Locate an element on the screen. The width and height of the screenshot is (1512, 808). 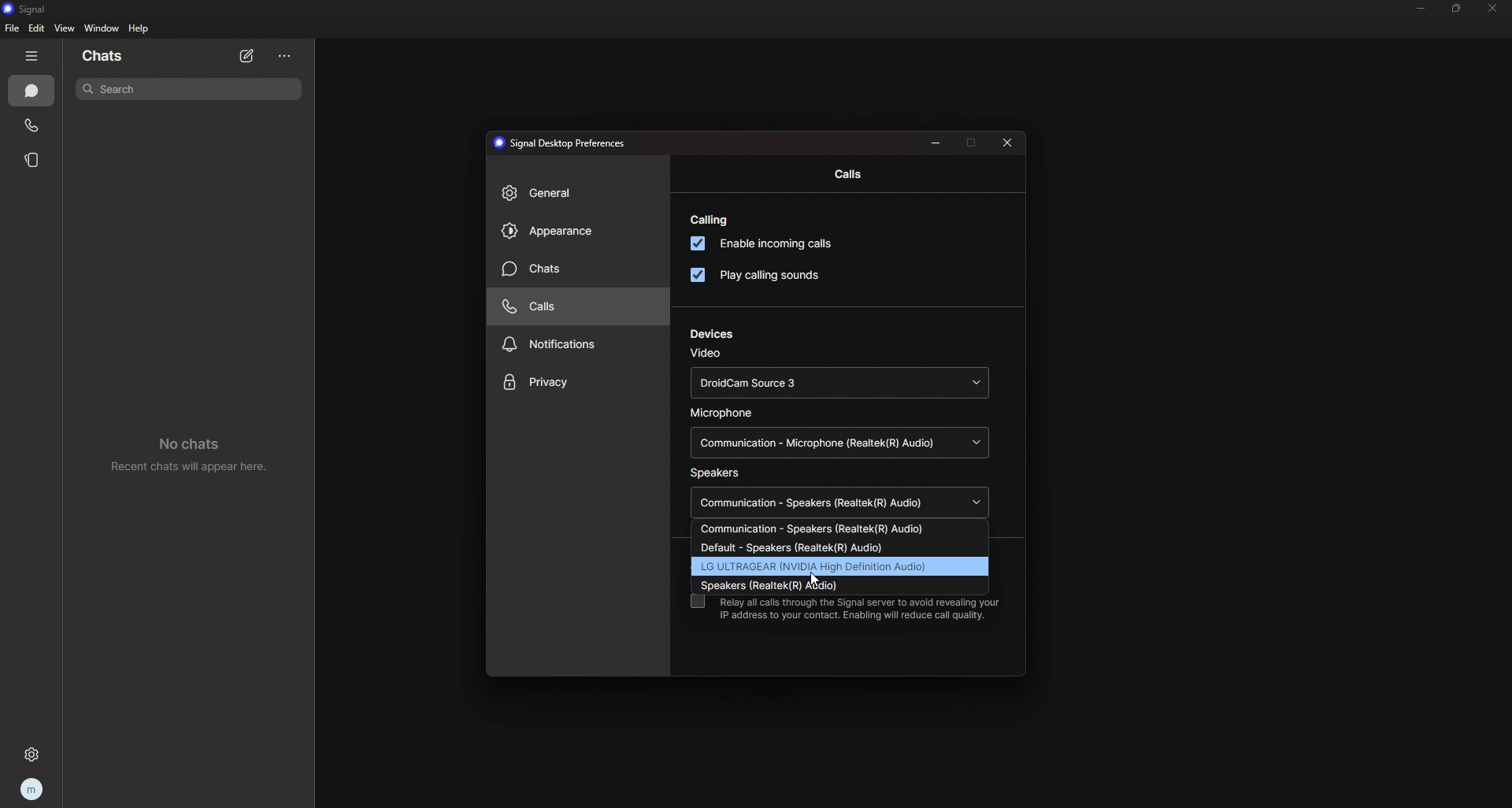
view is located at coordinates (65, 28).